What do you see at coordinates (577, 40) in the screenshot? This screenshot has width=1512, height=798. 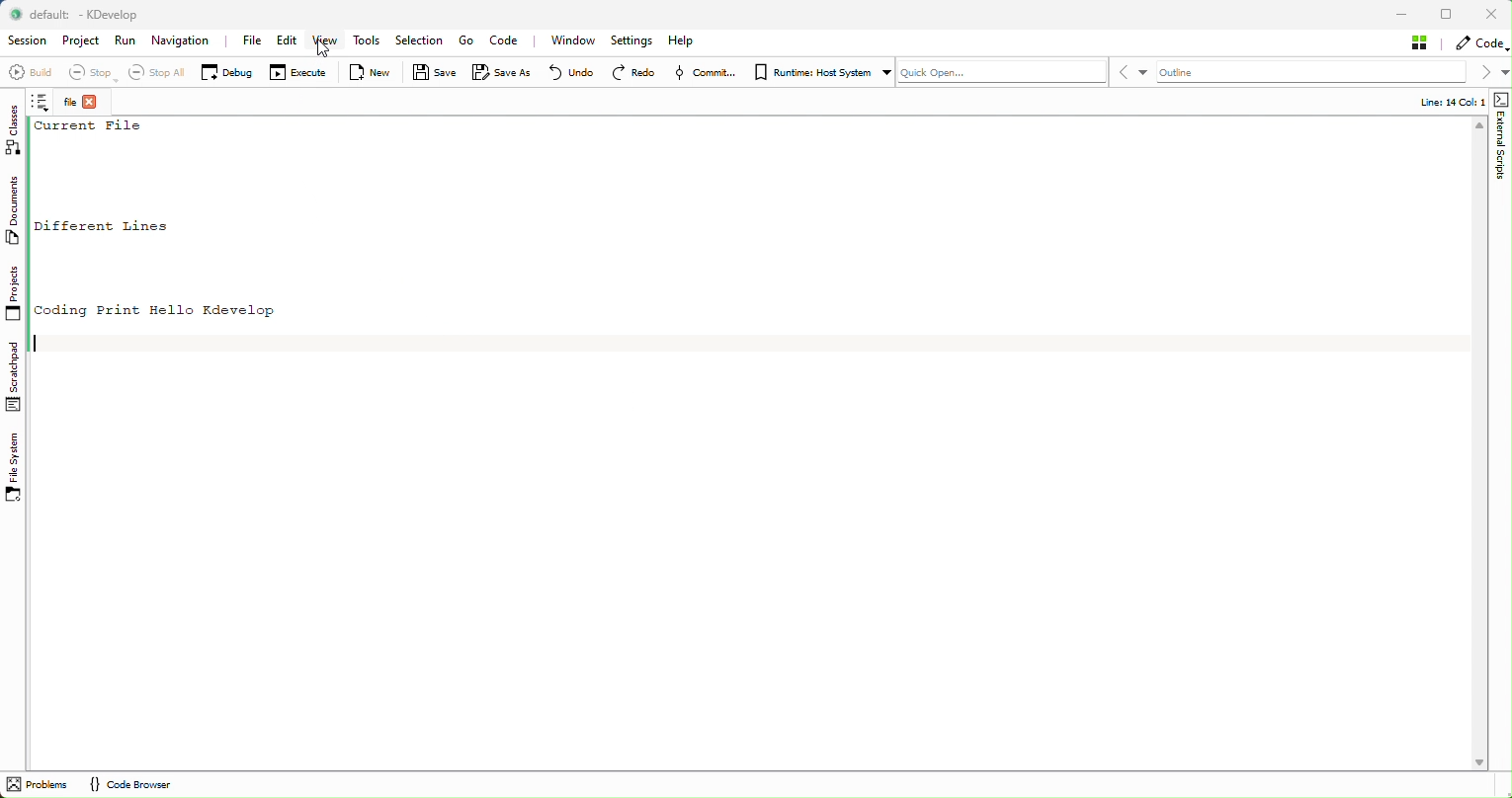 I see `Window` at bounding box center [577, 40].